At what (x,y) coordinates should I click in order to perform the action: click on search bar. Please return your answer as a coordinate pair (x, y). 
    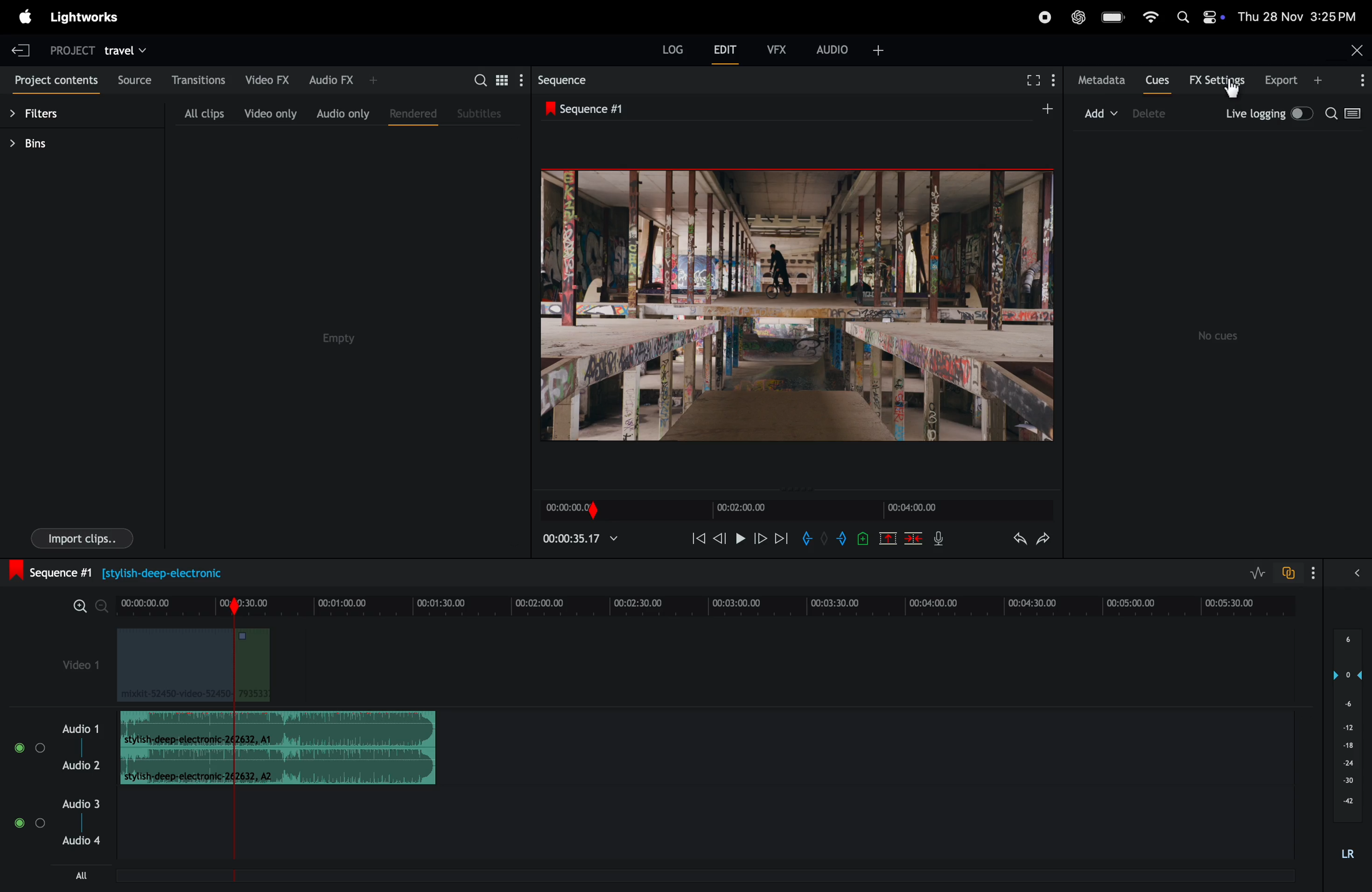
    Looking at the image, I should click on (493, 79).